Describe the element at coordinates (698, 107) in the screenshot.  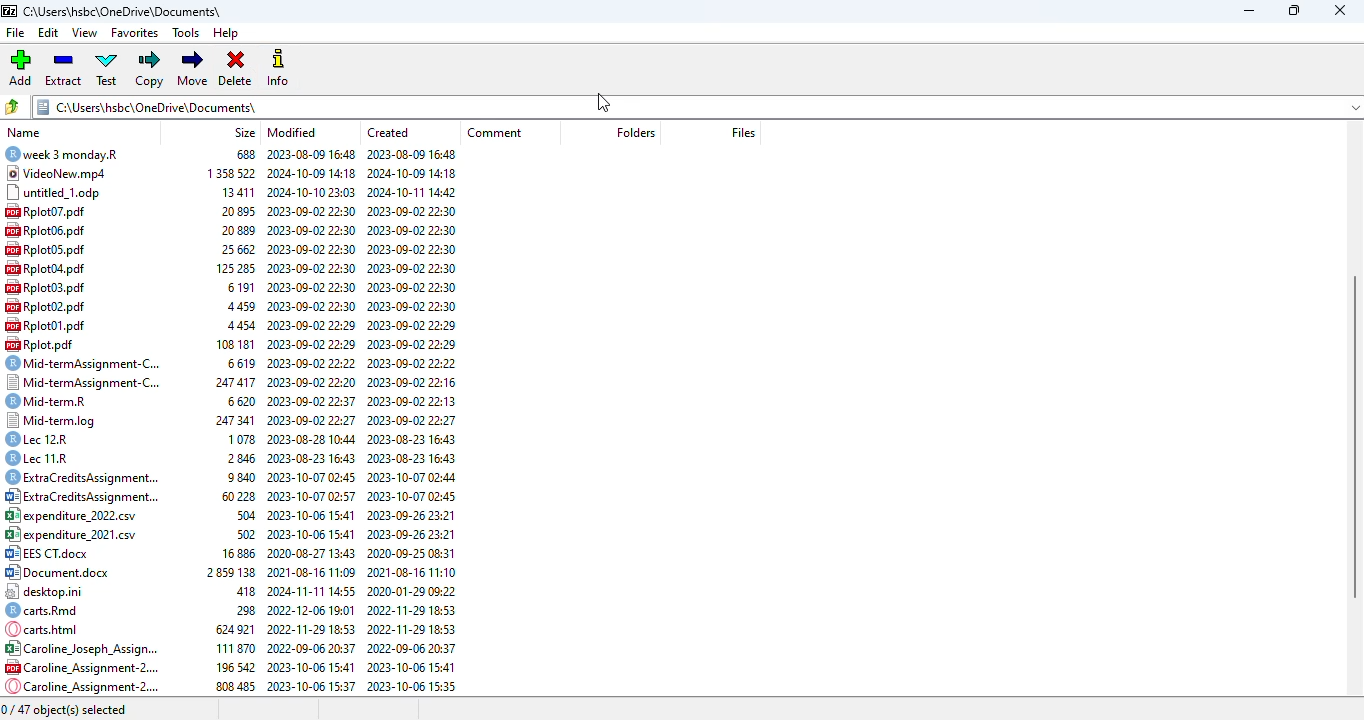
I see `C:\Users\hsbc\OneDrive\Documents\` at that location.